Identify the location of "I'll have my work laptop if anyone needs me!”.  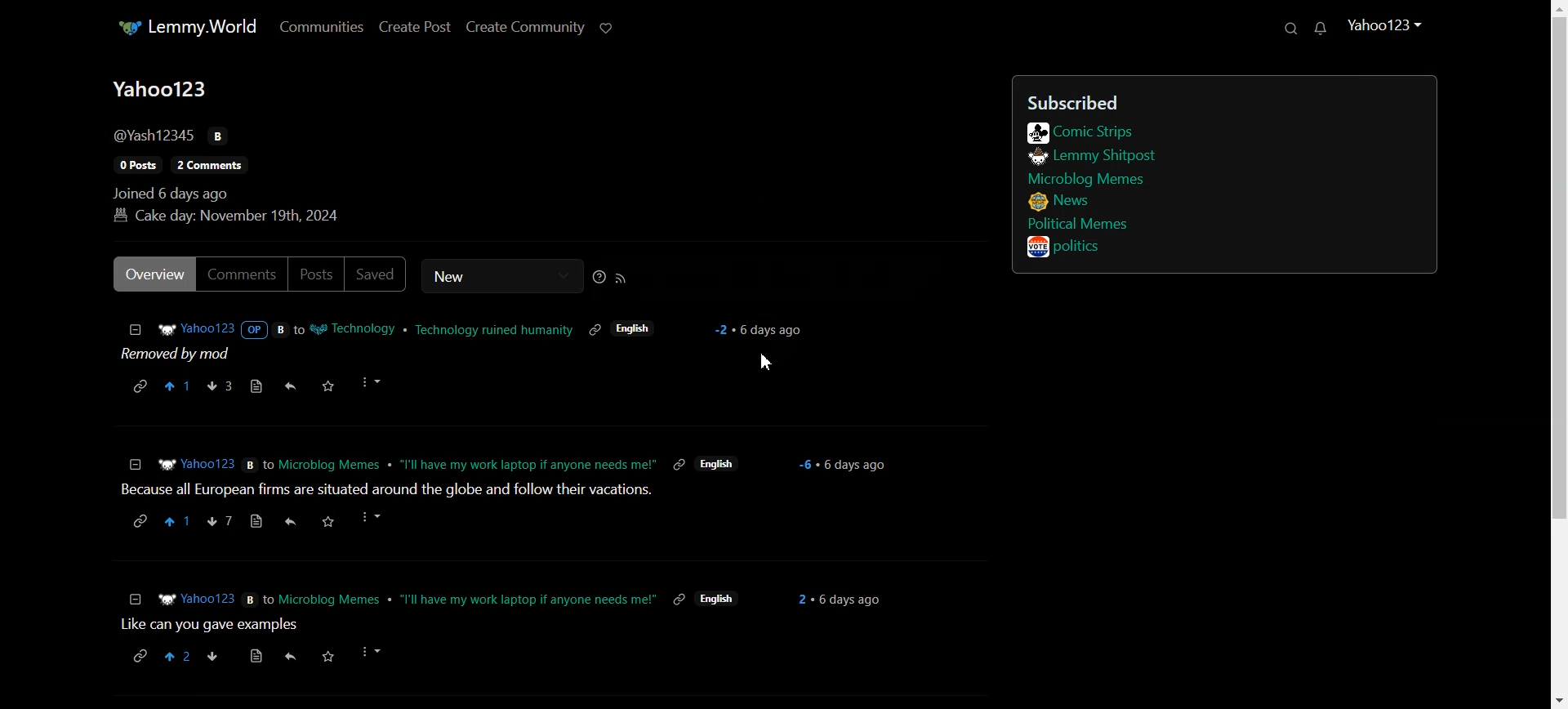
(530, 600).